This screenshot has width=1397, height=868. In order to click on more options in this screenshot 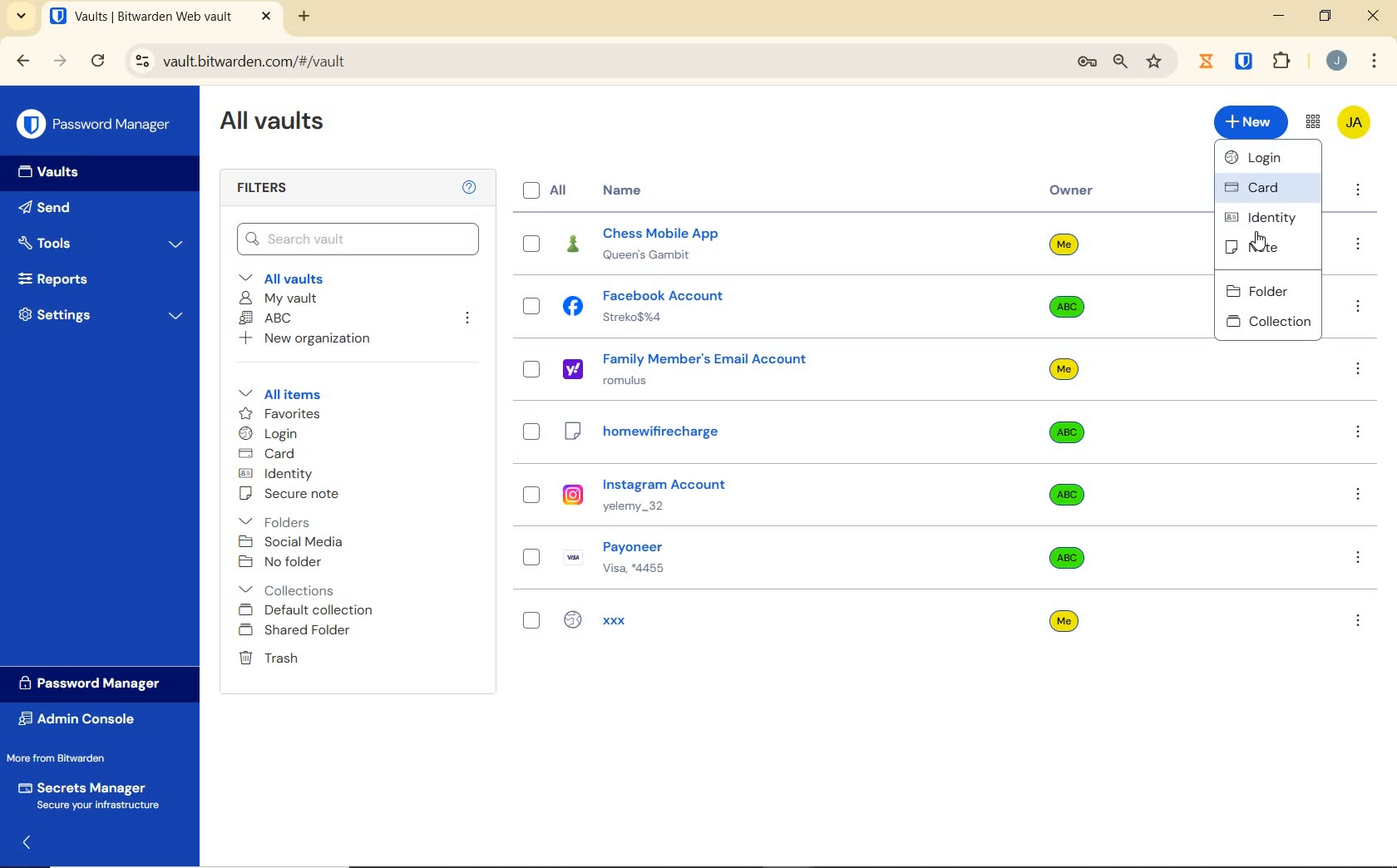, I will do `click(1357, 432)`.